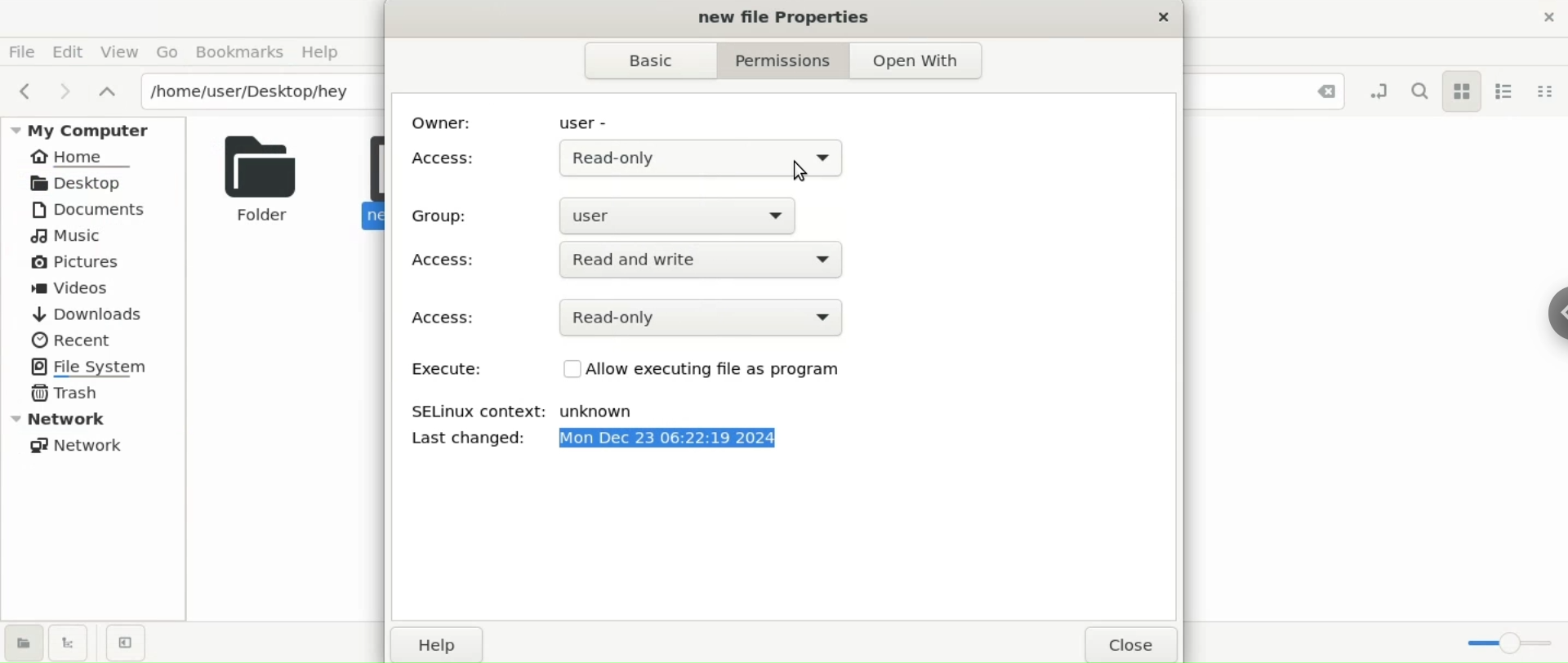  What do you see at coordinates (1553, 309) in the screenshot?
I see `sidebar` at bounding box center [1553, 309].